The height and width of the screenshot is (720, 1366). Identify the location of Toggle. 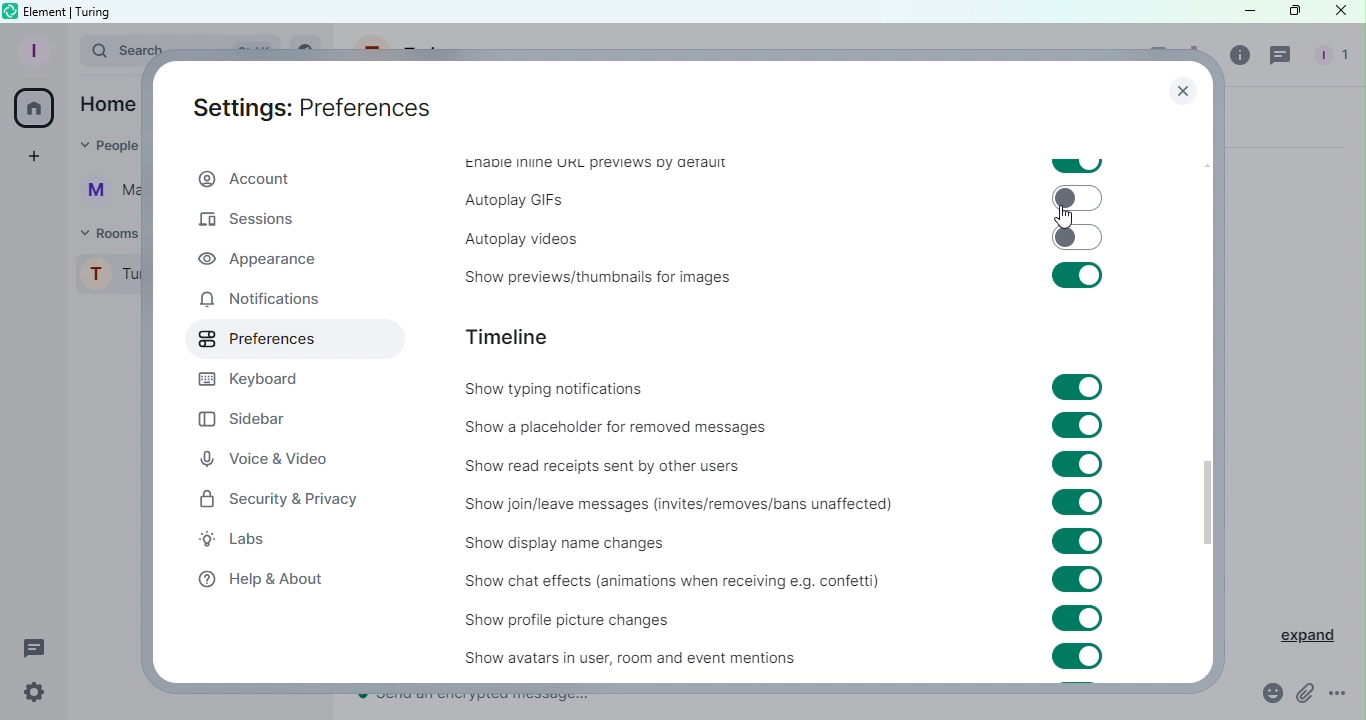
(1085, 657).